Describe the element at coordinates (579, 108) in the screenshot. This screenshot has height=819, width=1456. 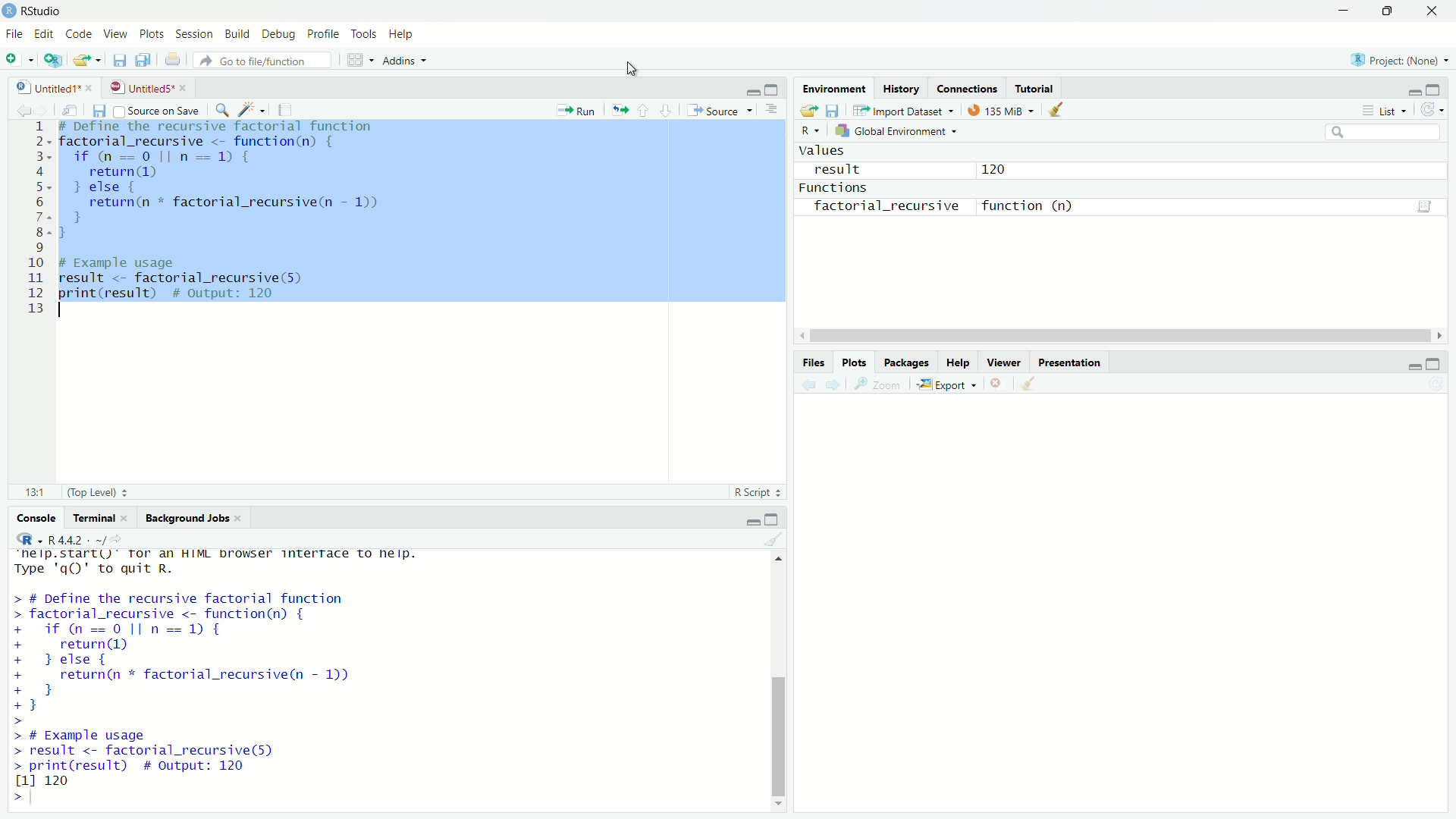
I see `Run the current line or selection (Ctrl + Enter)` at that location.